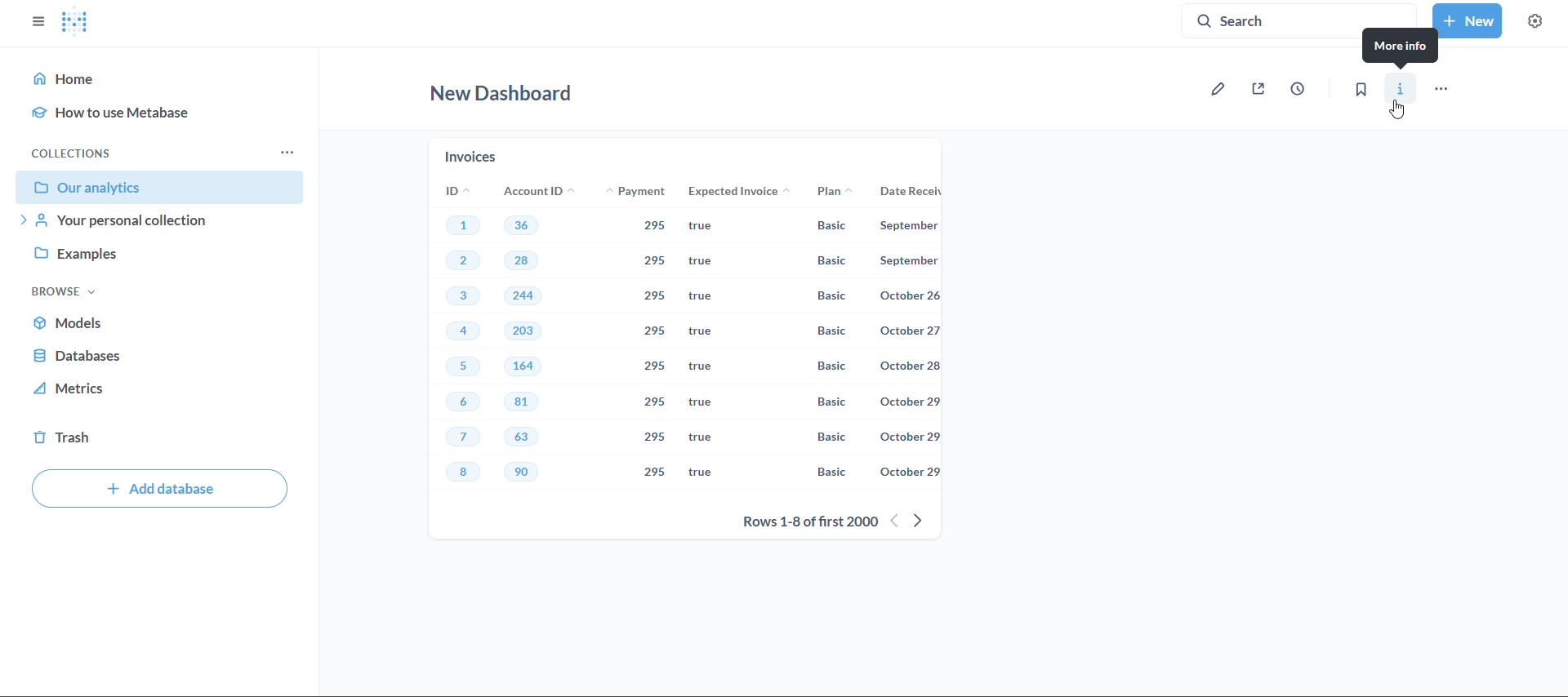  What do you see at coordinates (807, 522) in the screenshot?
I see `rows 1-8 of first 2000` at bounding box center [807, 522].